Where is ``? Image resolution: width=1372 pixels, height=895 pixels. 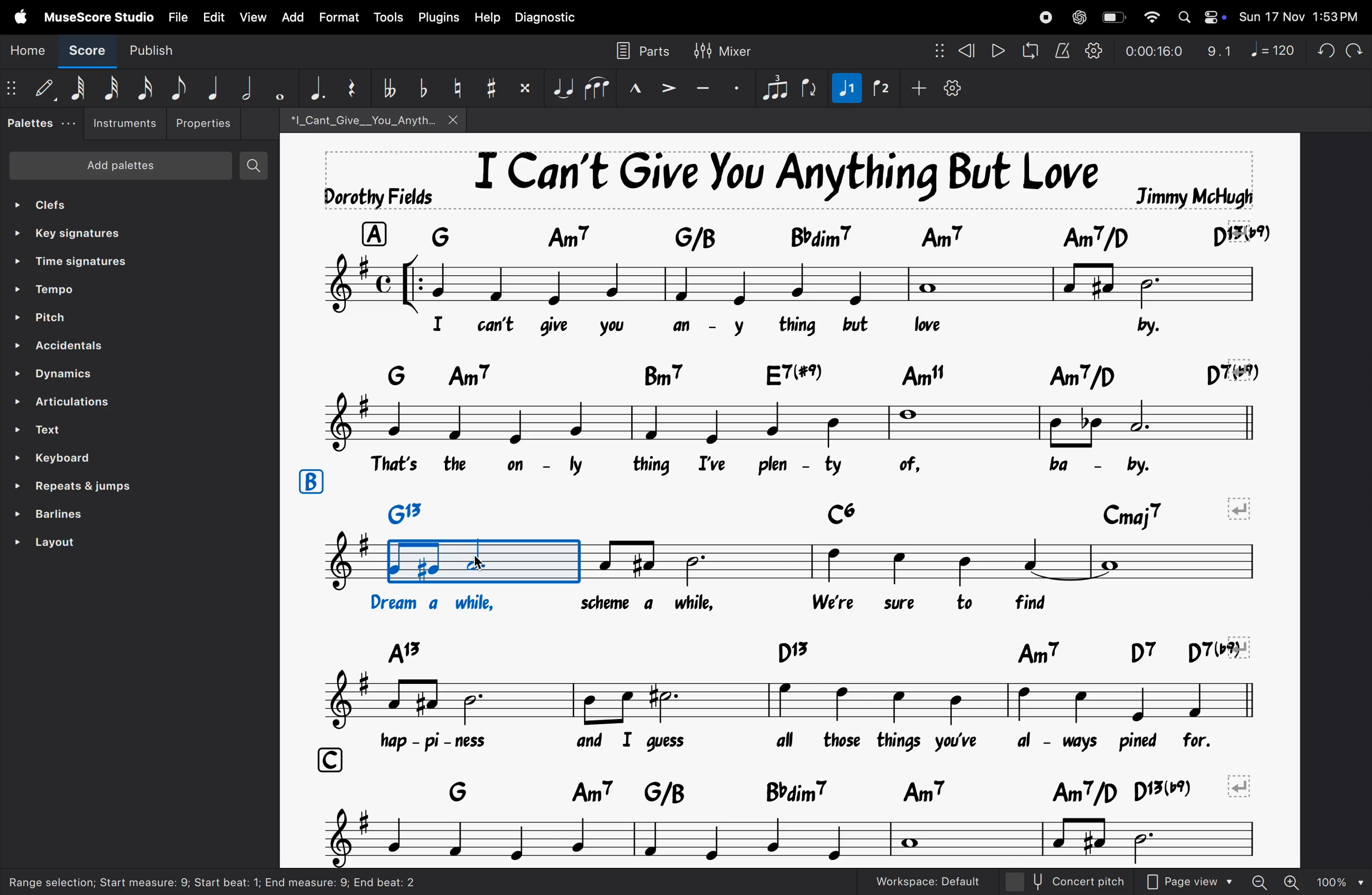
 is located at coordinates (1362, 881).